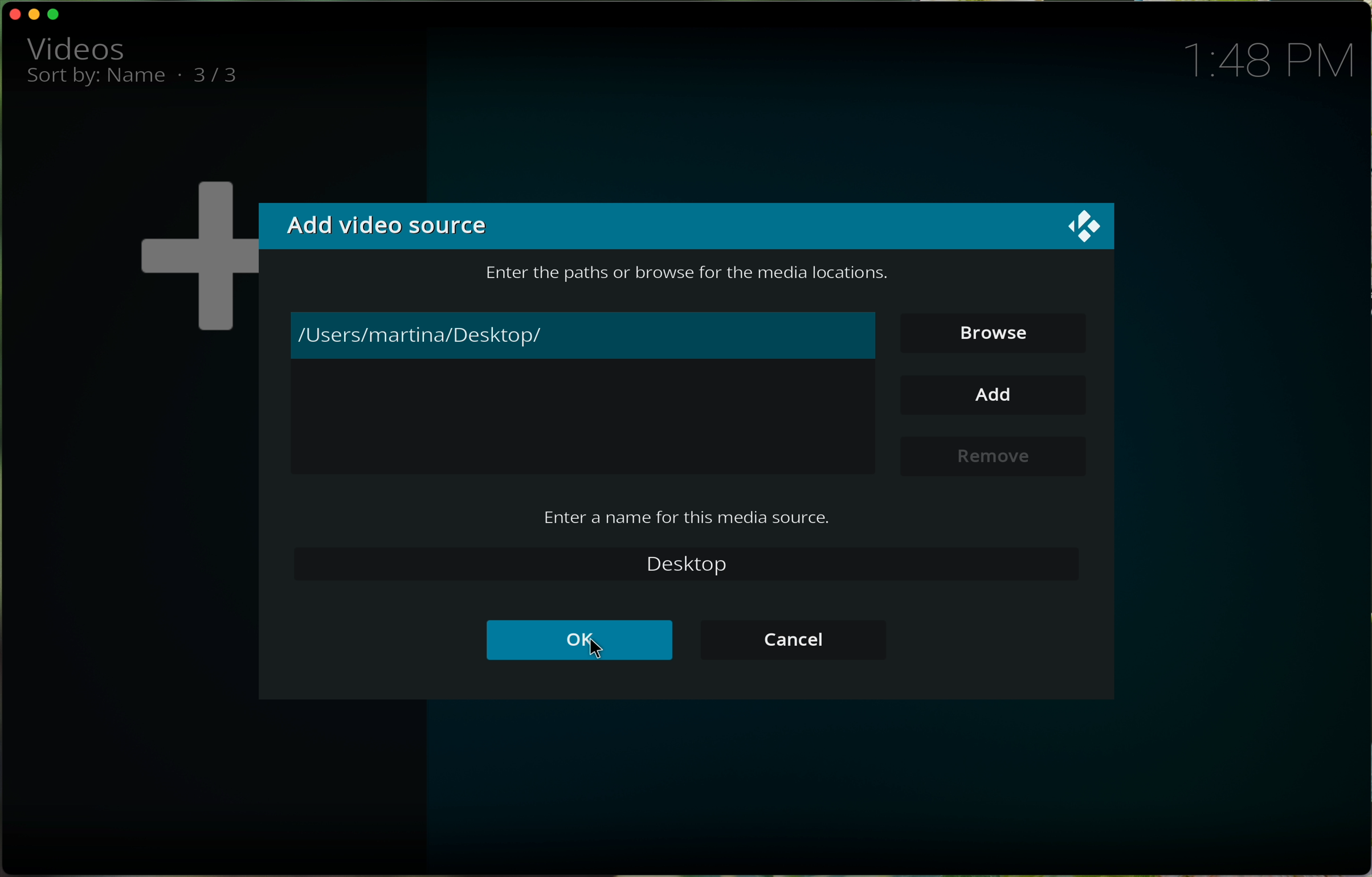  Describe the element at coordinates (179, 74) in the screenshot. I see `.` at that location.